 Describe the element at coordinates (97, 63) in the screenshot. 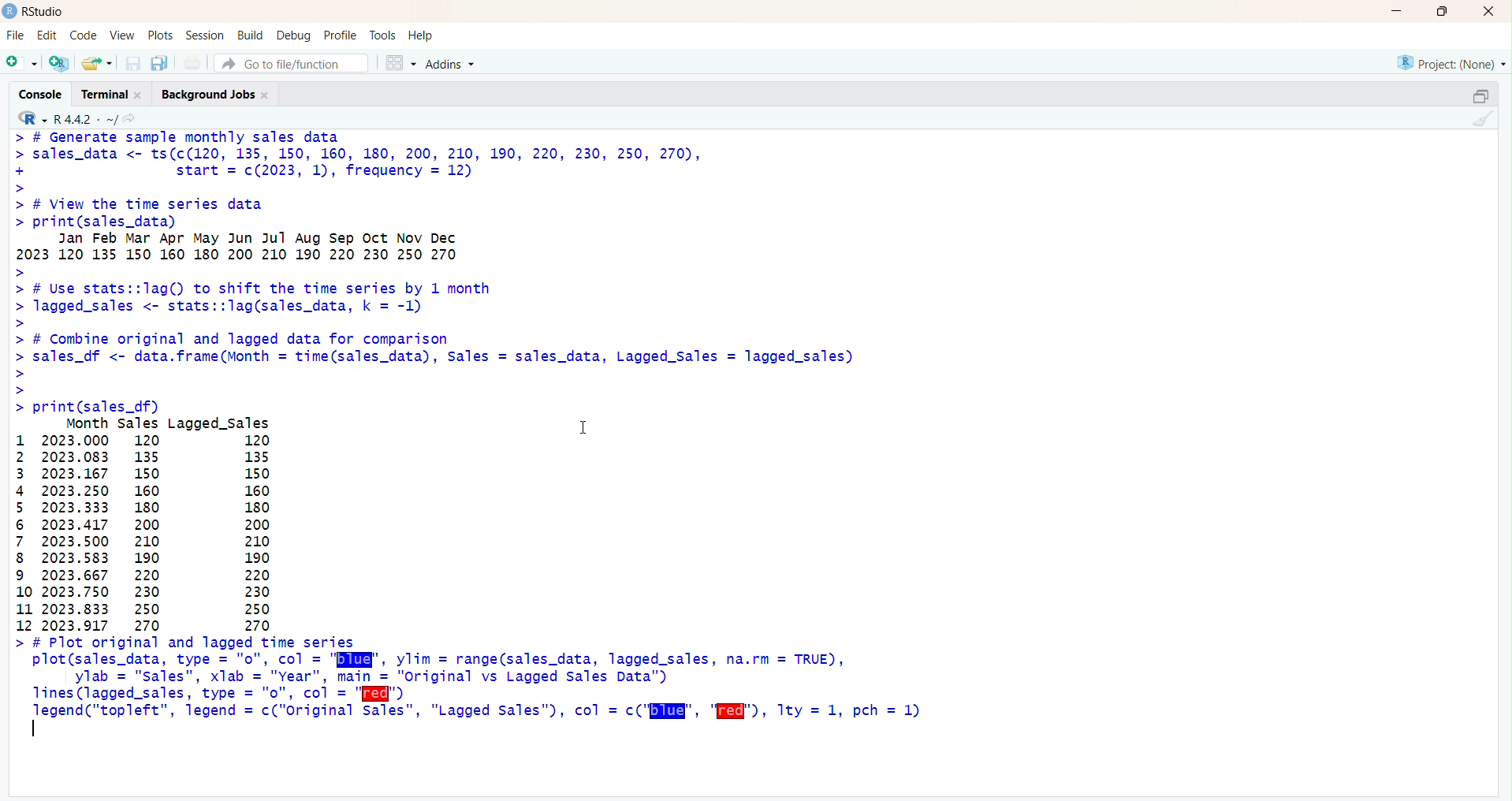

I see `open an existing file` at that location.